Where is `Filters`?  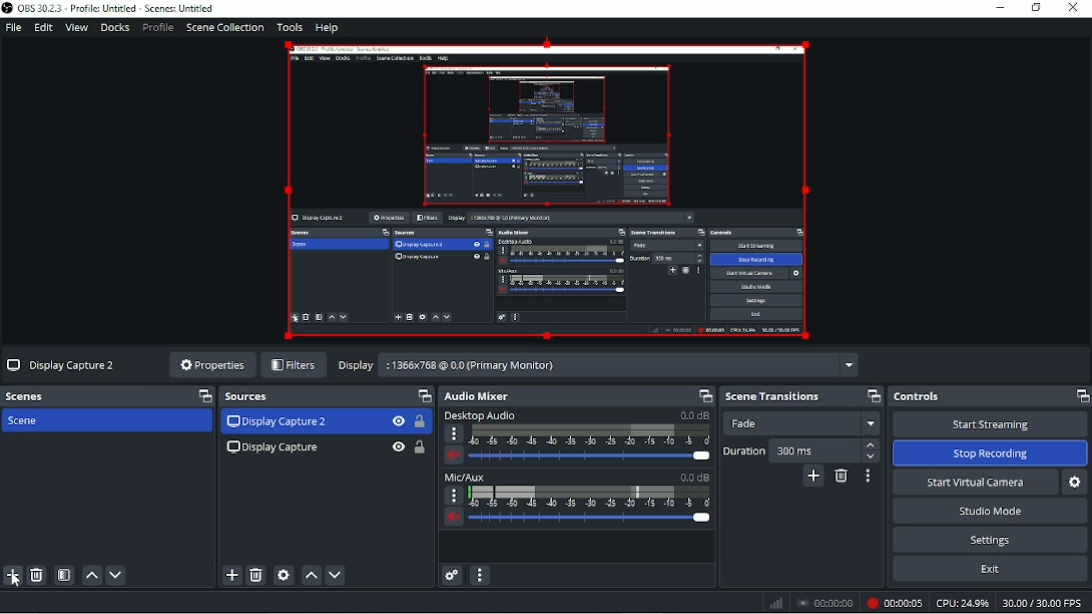
Filters is located at coordinates (296, 366).